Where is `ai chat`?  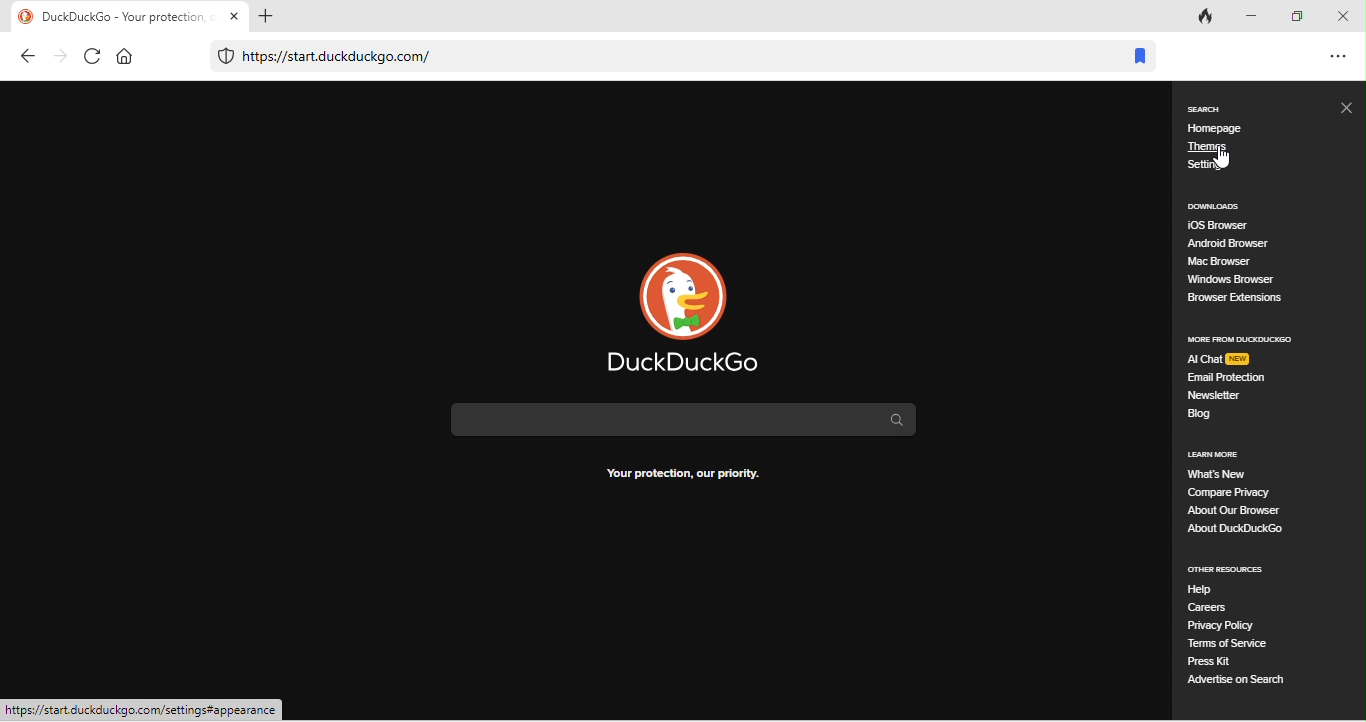
ai chat is located at coordinates (1221, 358).